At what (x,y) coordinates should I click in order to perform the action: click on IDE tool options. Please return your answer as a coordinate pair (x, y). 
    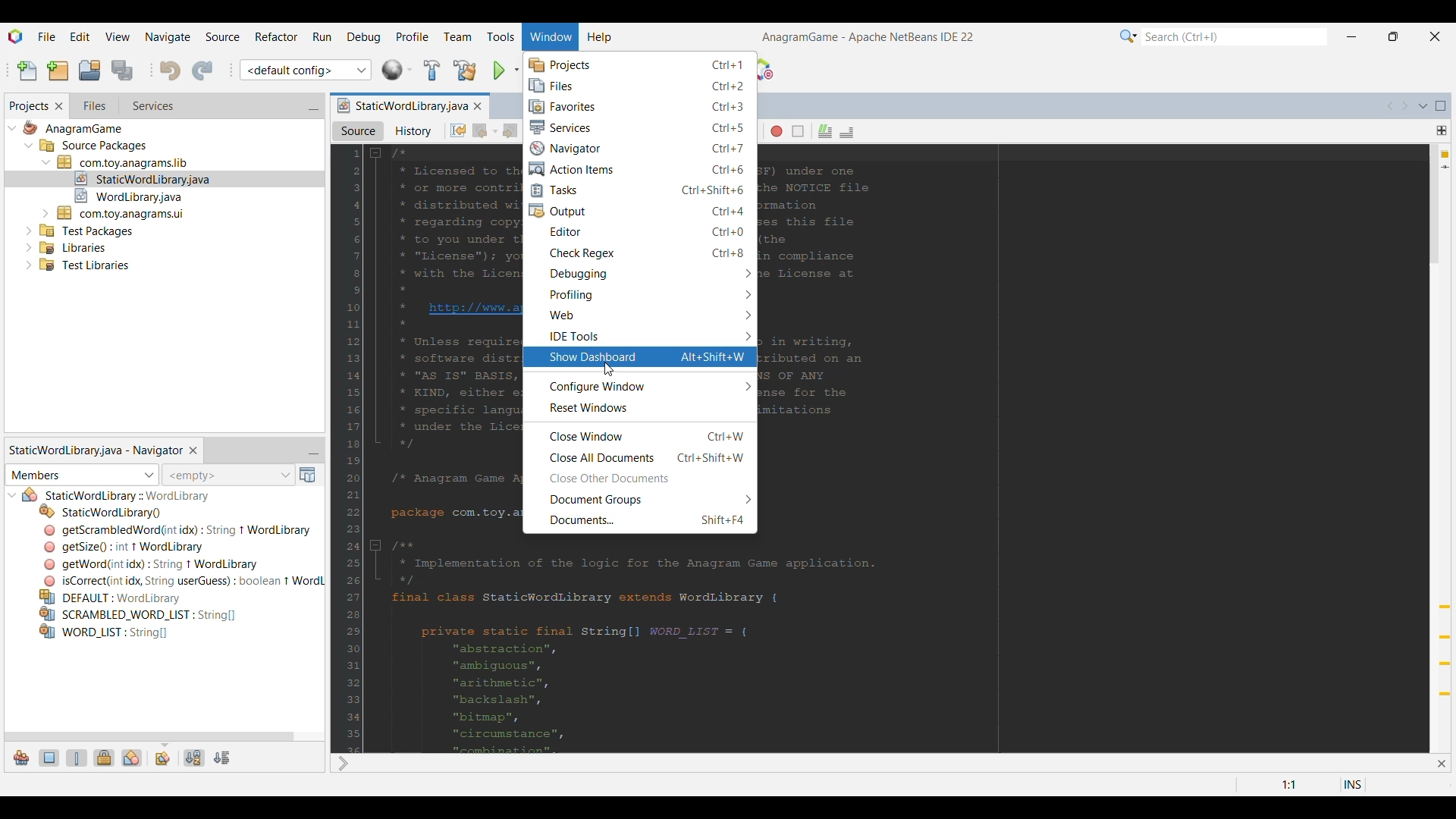
    Looking at the image, I should click on (640, 336).